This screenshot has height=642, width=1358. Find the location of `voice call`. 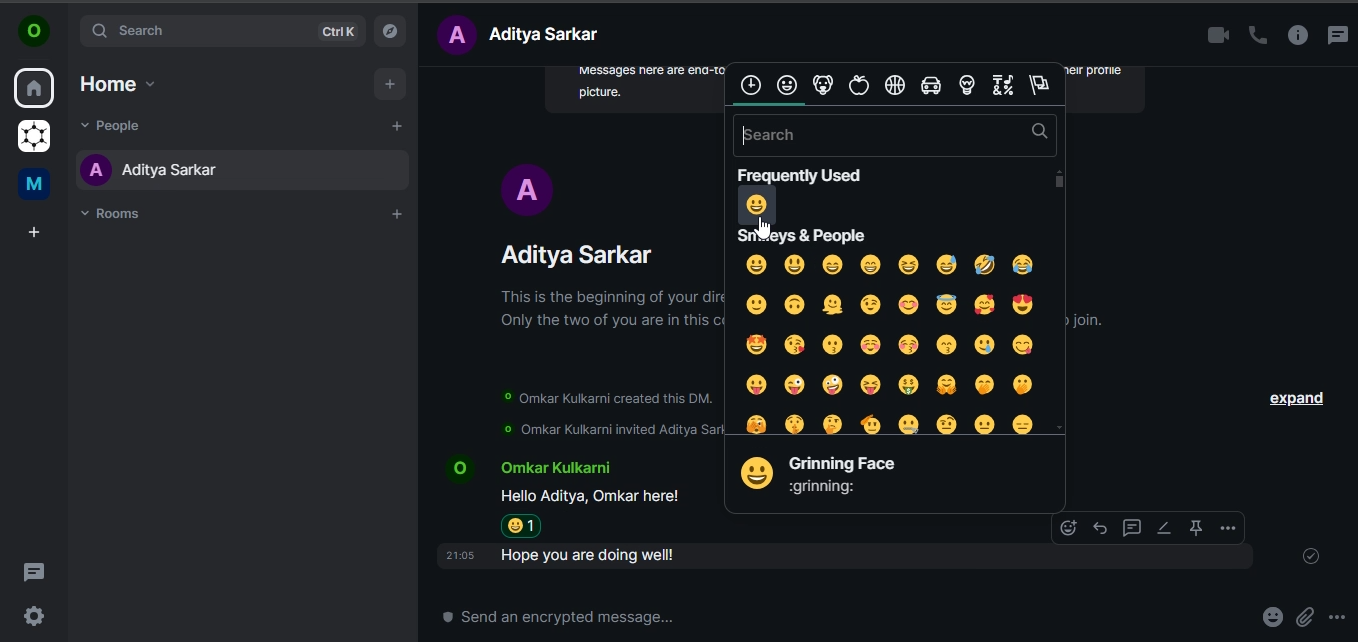

voice call is located at coordinates (1254, 36).